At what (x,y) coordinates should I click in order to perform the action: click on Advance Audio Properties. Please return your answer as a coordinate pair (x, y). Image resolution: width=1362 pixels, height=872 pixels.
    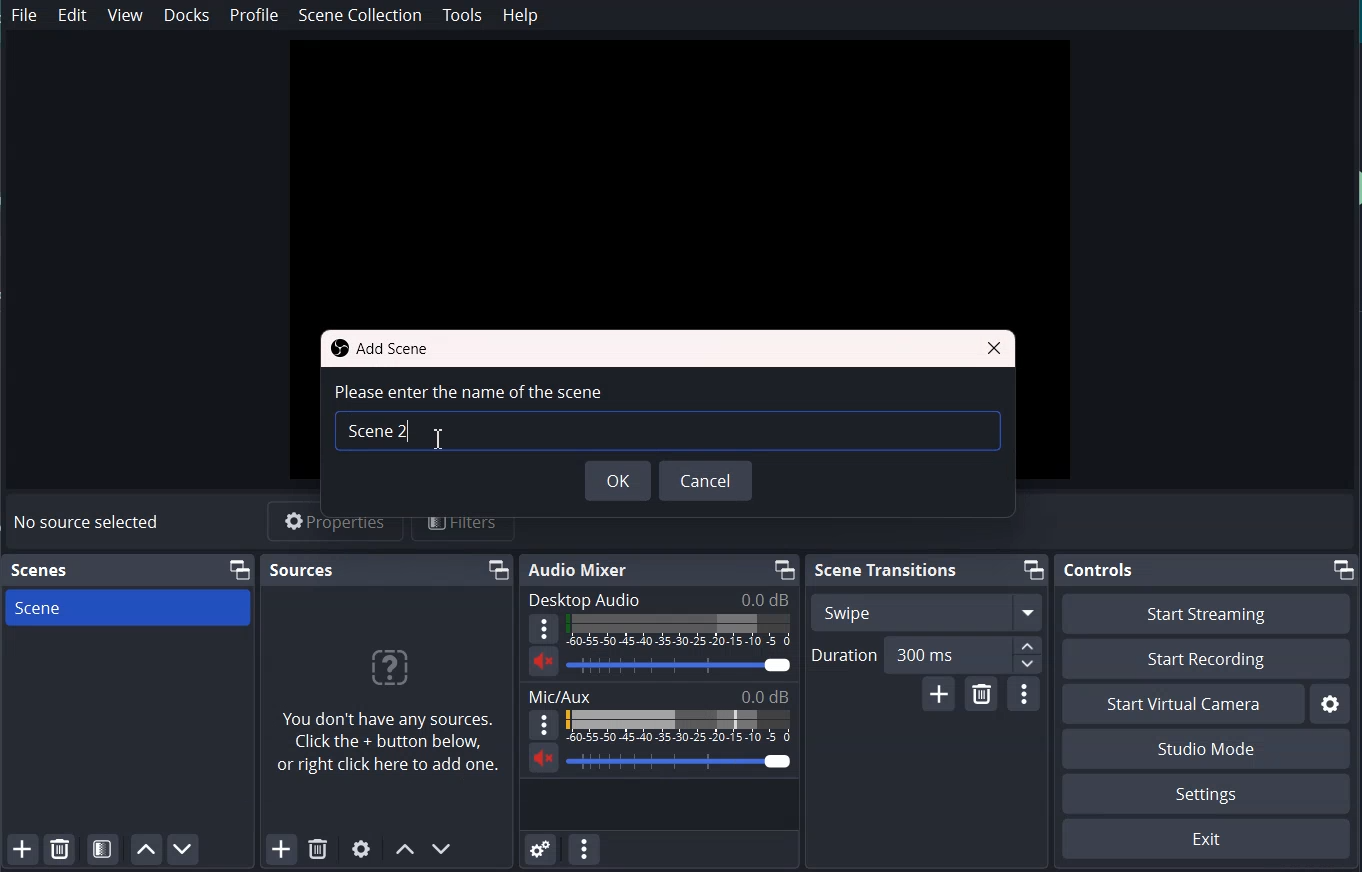
    Looking at the image, I should click on (541, 847).